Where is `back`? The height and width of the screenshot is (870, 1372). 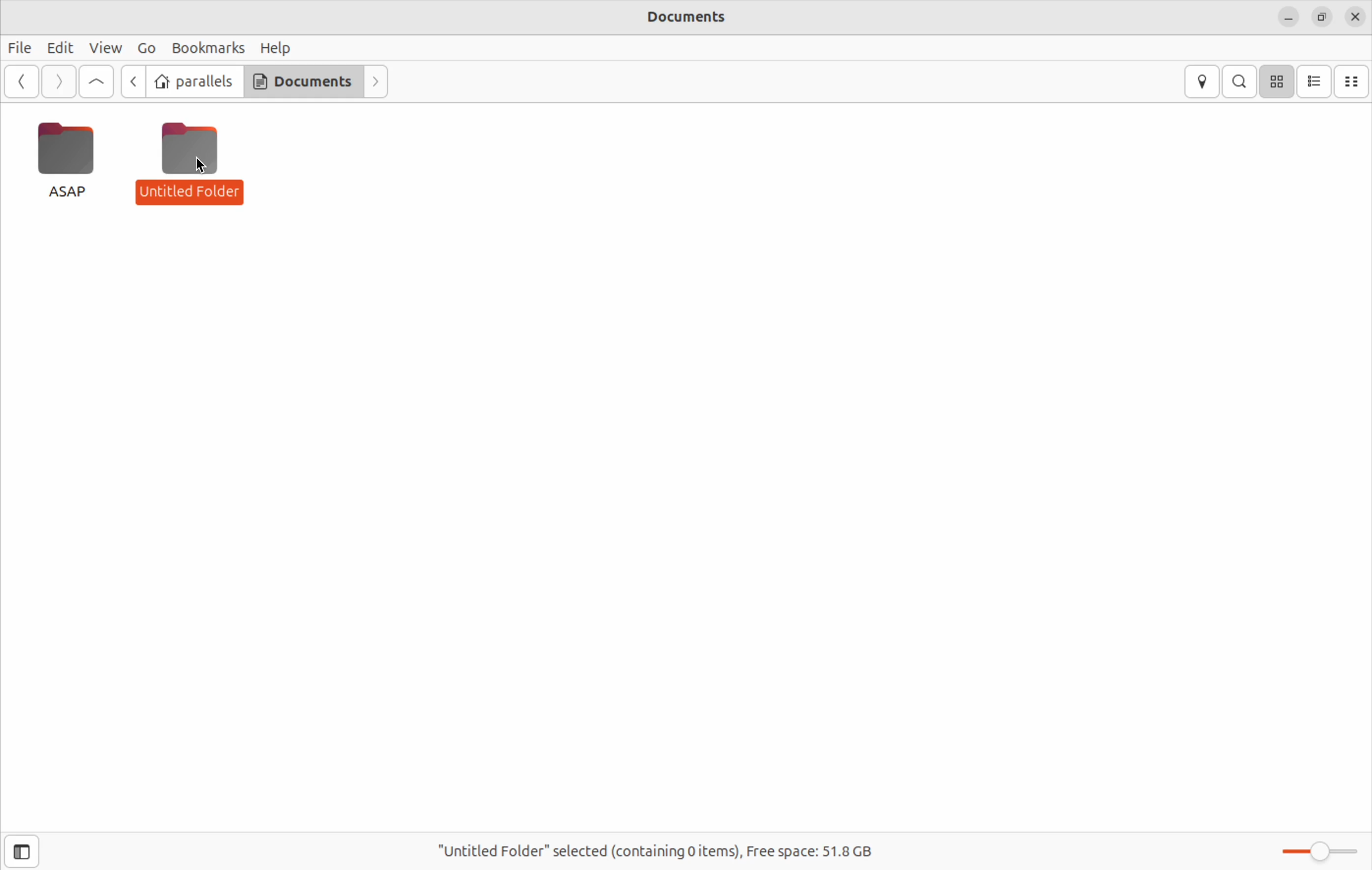
back is located at coordinates (136, 83).